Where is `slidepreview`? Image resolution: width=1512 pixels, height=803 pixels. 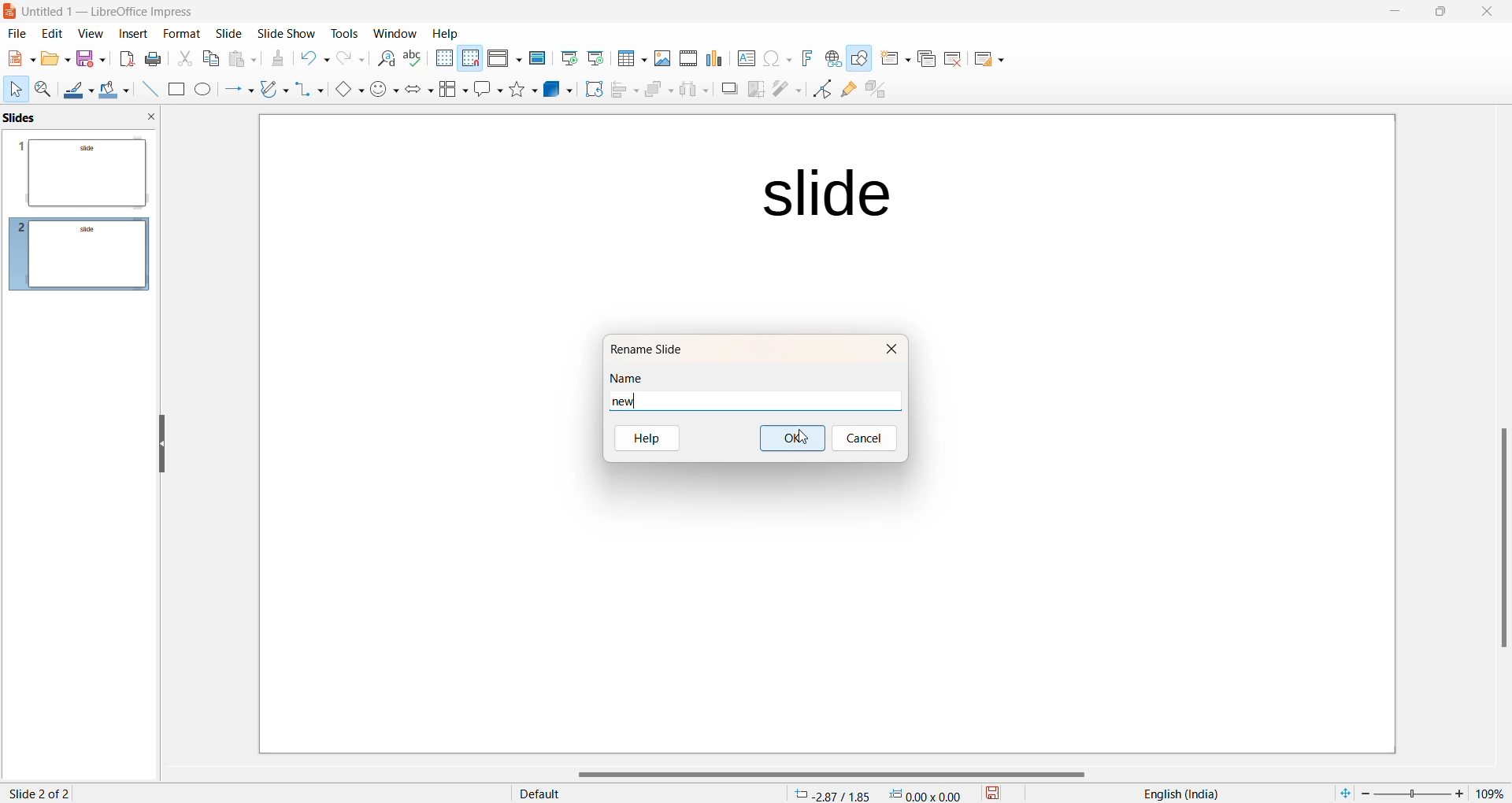 slidepreview is located at coordinates (83, 250).